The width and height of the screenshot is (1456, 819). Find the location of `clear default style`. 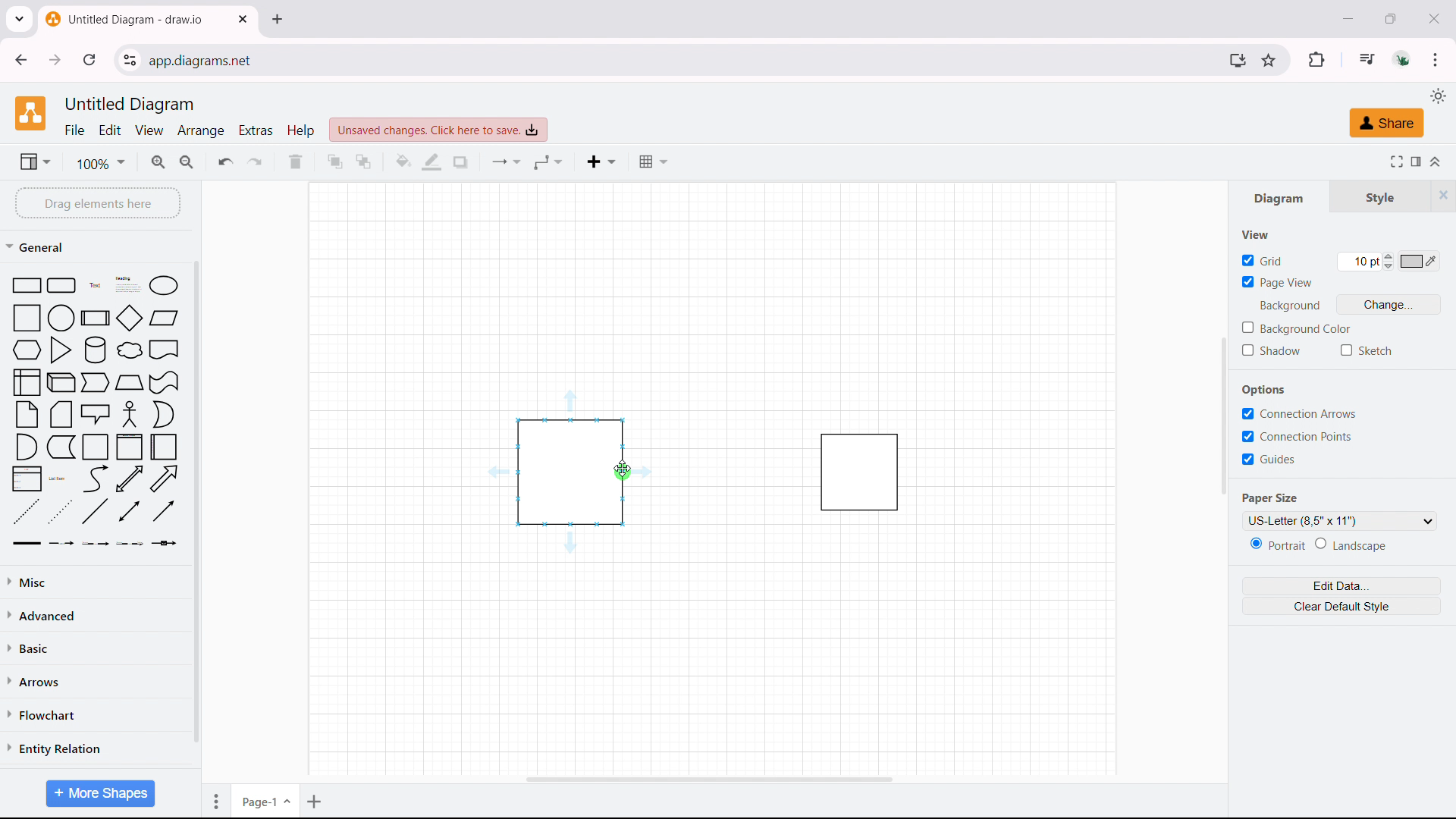

clear default style is located at coordinates (1341, 606).